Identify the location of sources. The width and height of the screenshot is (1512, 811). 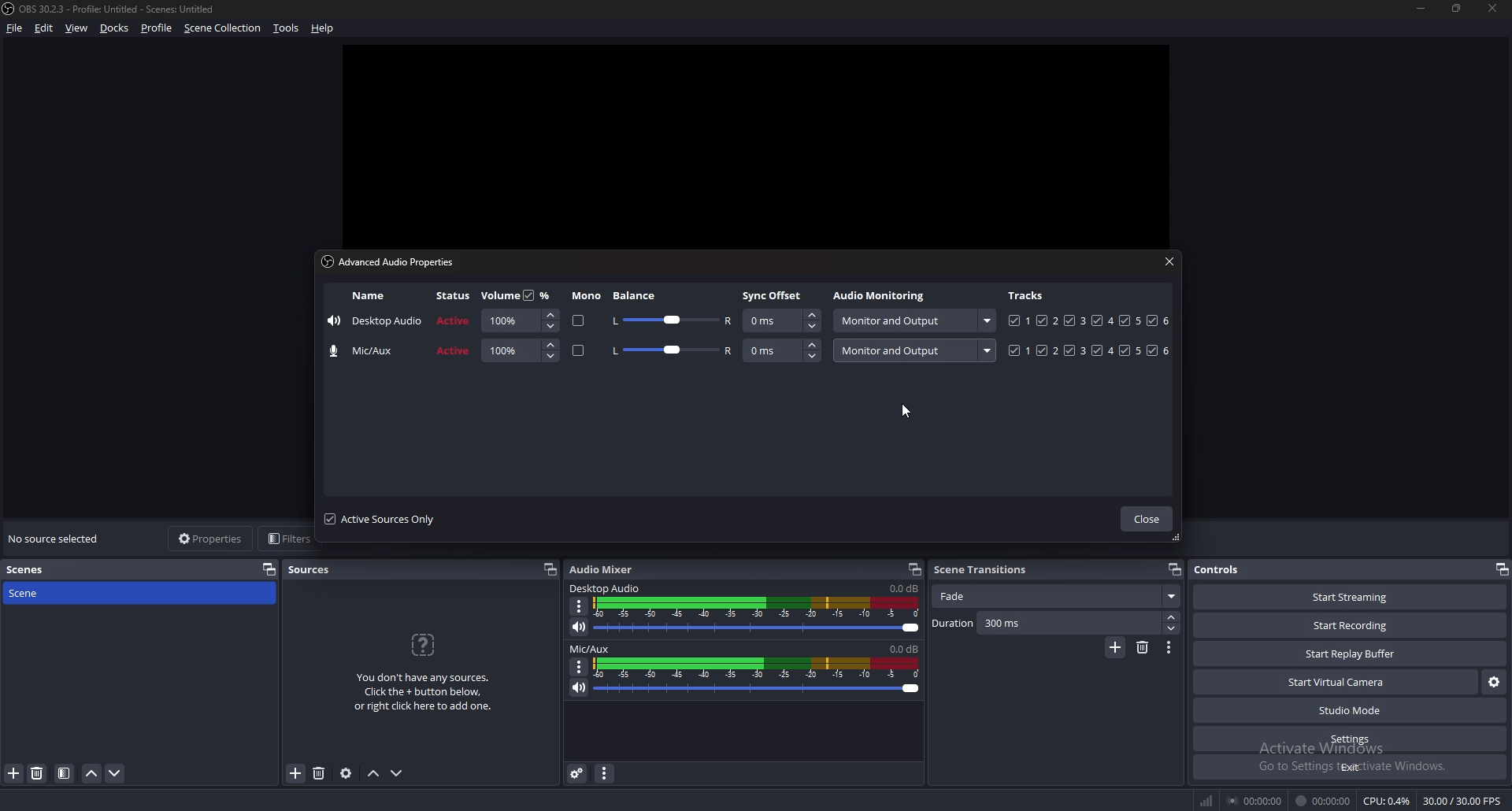
(312, 569).